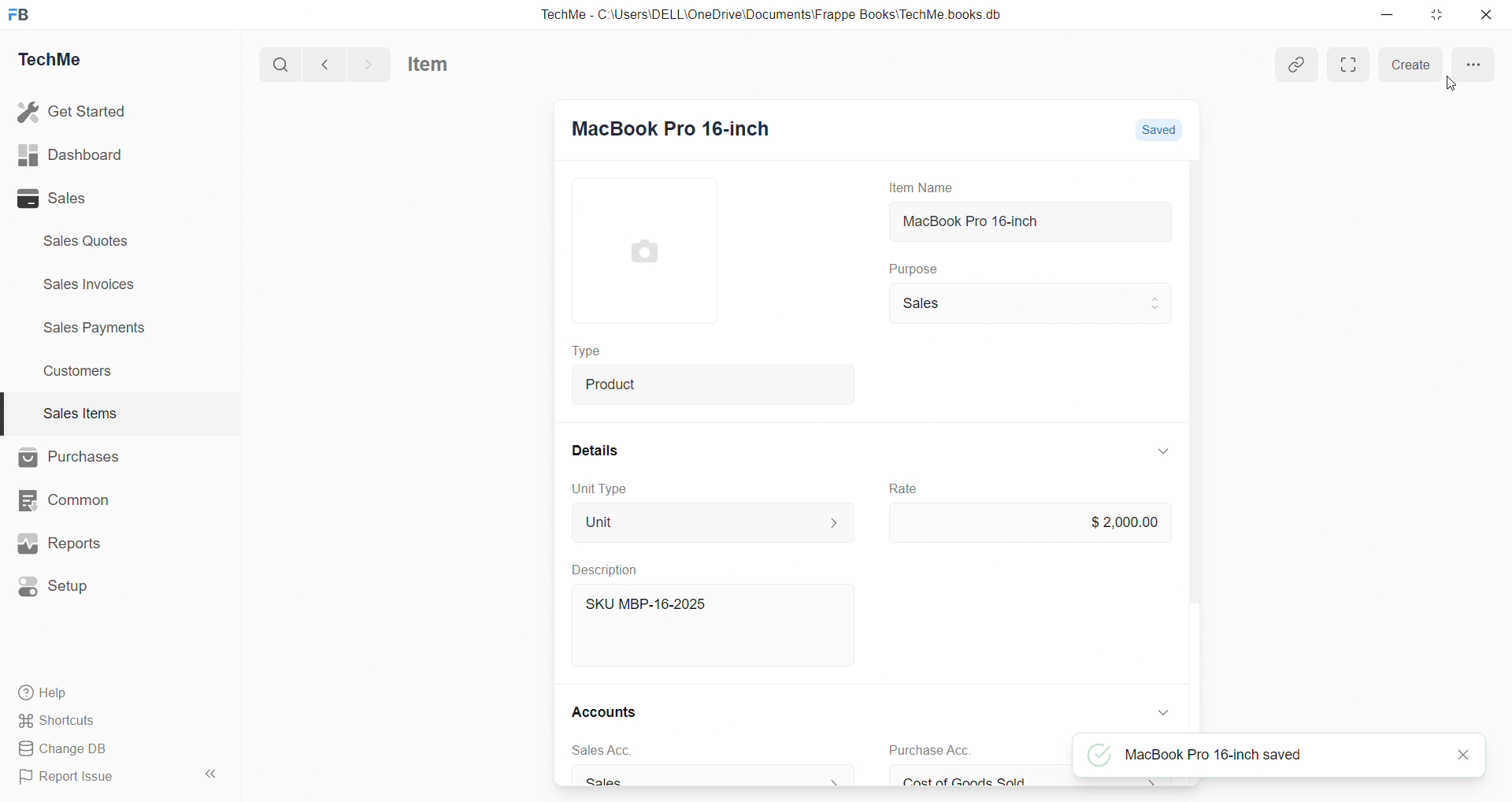 The width and height of the screenshot is (1512, 802). What do you see at coordinates (595, 451) in the screenshot?
I see `Details` at bounding box center [595, 451].